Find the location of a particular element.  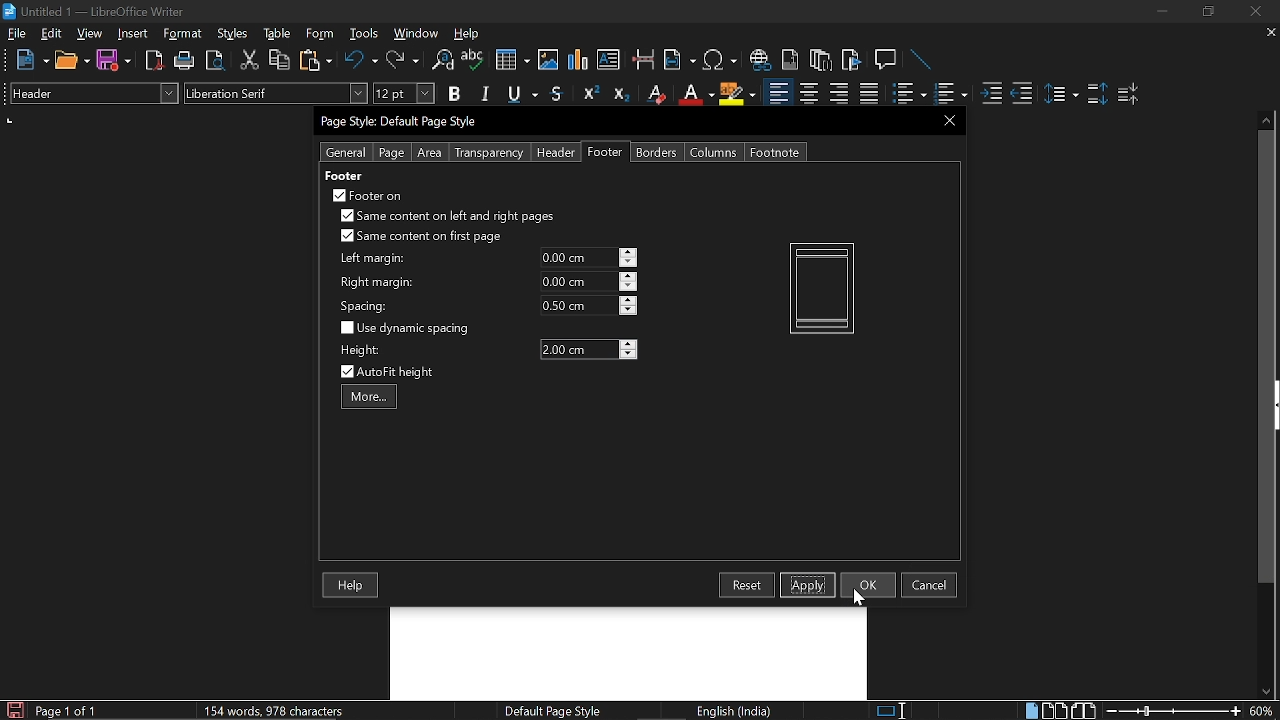

Increase height hey Cortana is located at coordinates (628, 343).